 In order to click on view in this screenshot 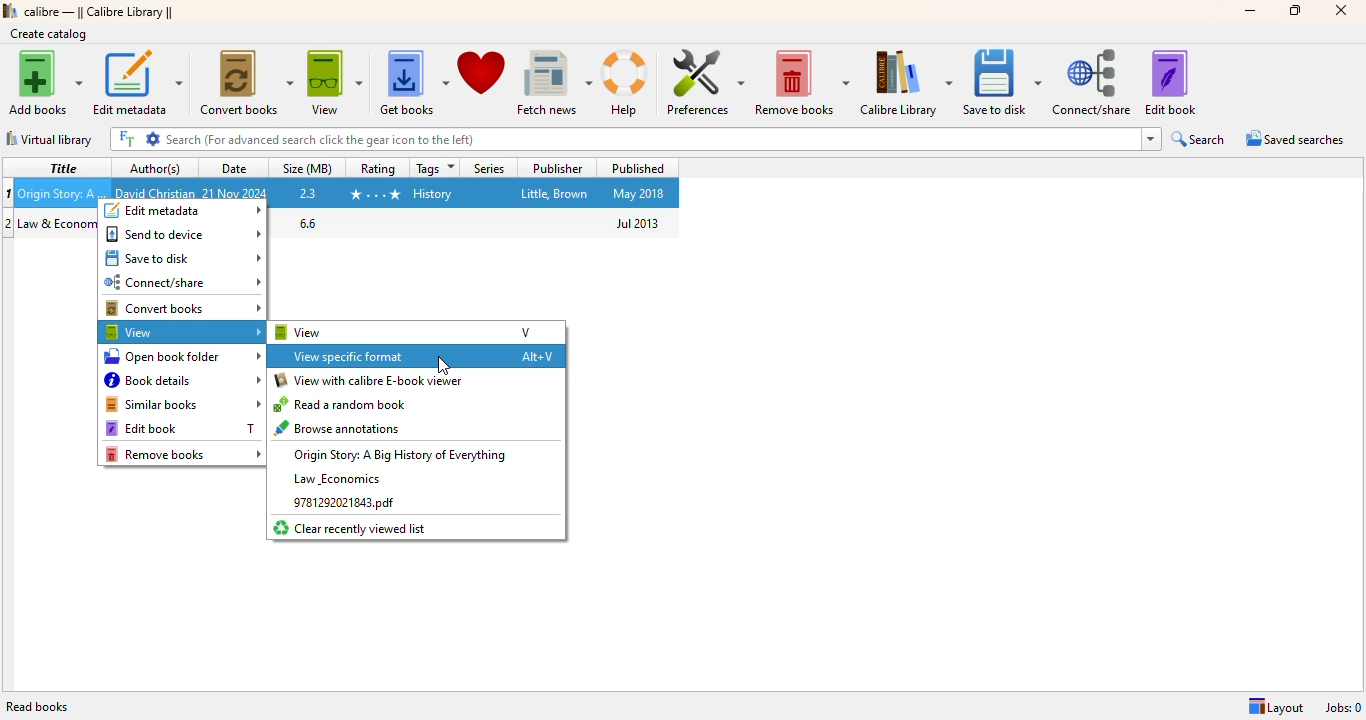, I will do `click(336, 84)`.